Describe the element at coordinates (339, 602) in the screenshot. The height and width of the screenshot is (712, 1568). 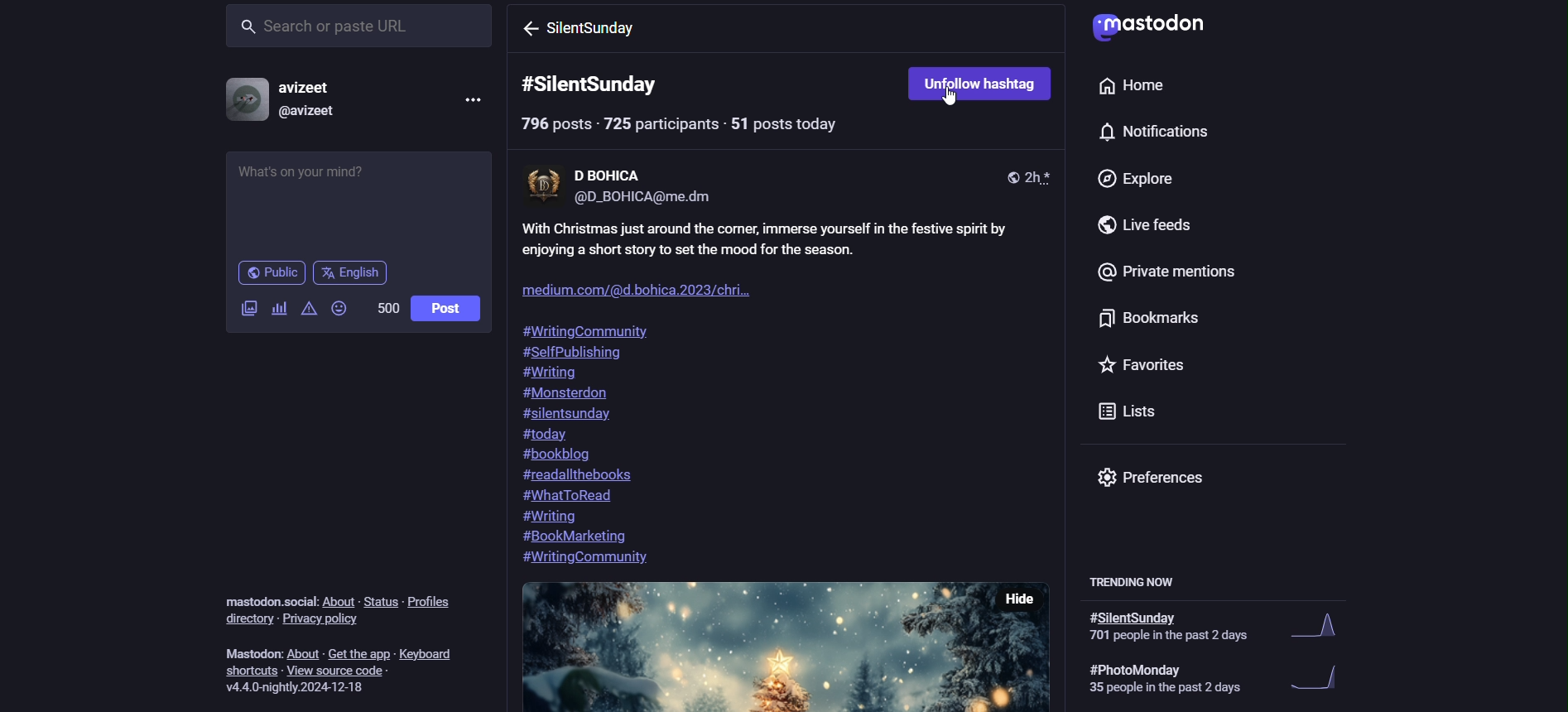
I see `about` at that location.